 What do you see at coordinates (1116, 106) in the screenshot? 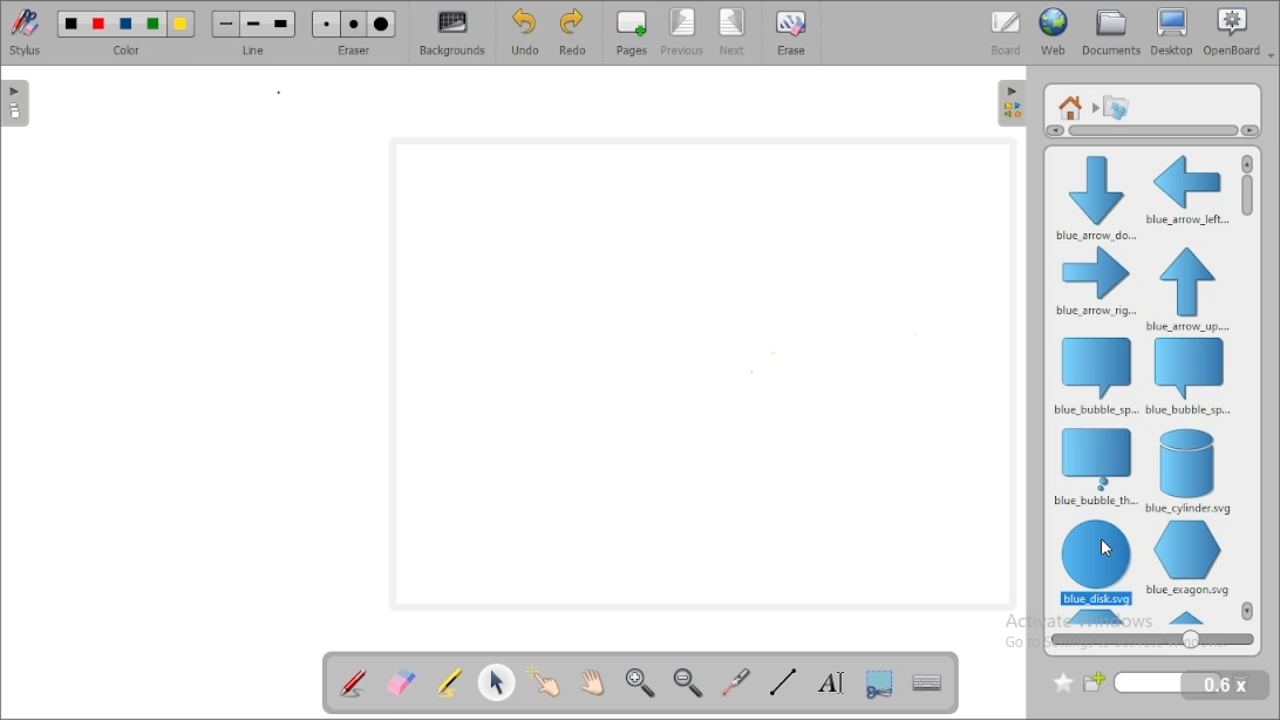
I see `shapes` at bounding box center [1116, 106].